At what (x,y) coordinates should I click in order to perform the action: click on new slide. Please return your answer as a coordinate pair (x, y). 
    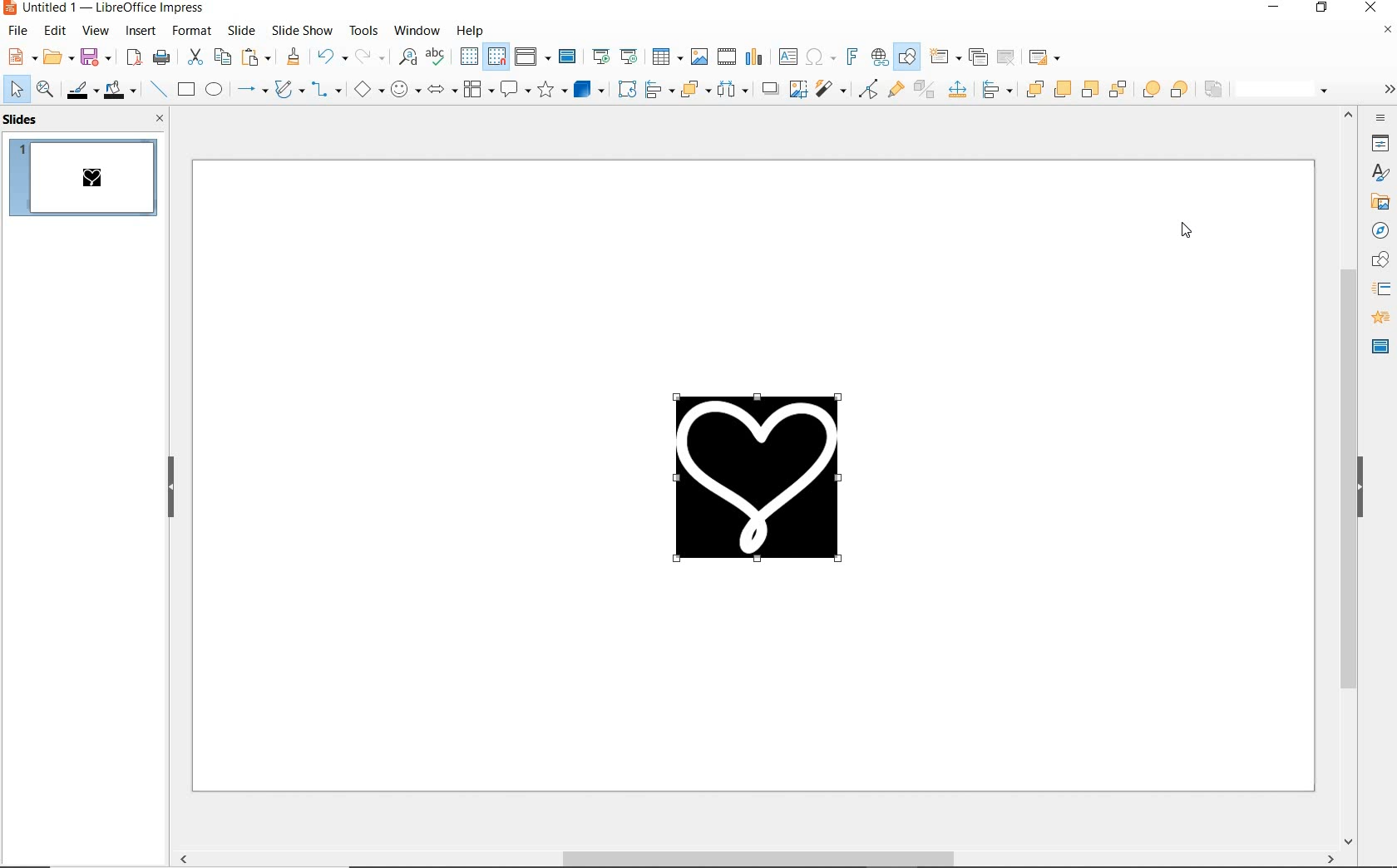
    Looking at the image, I should click on (945, 57).